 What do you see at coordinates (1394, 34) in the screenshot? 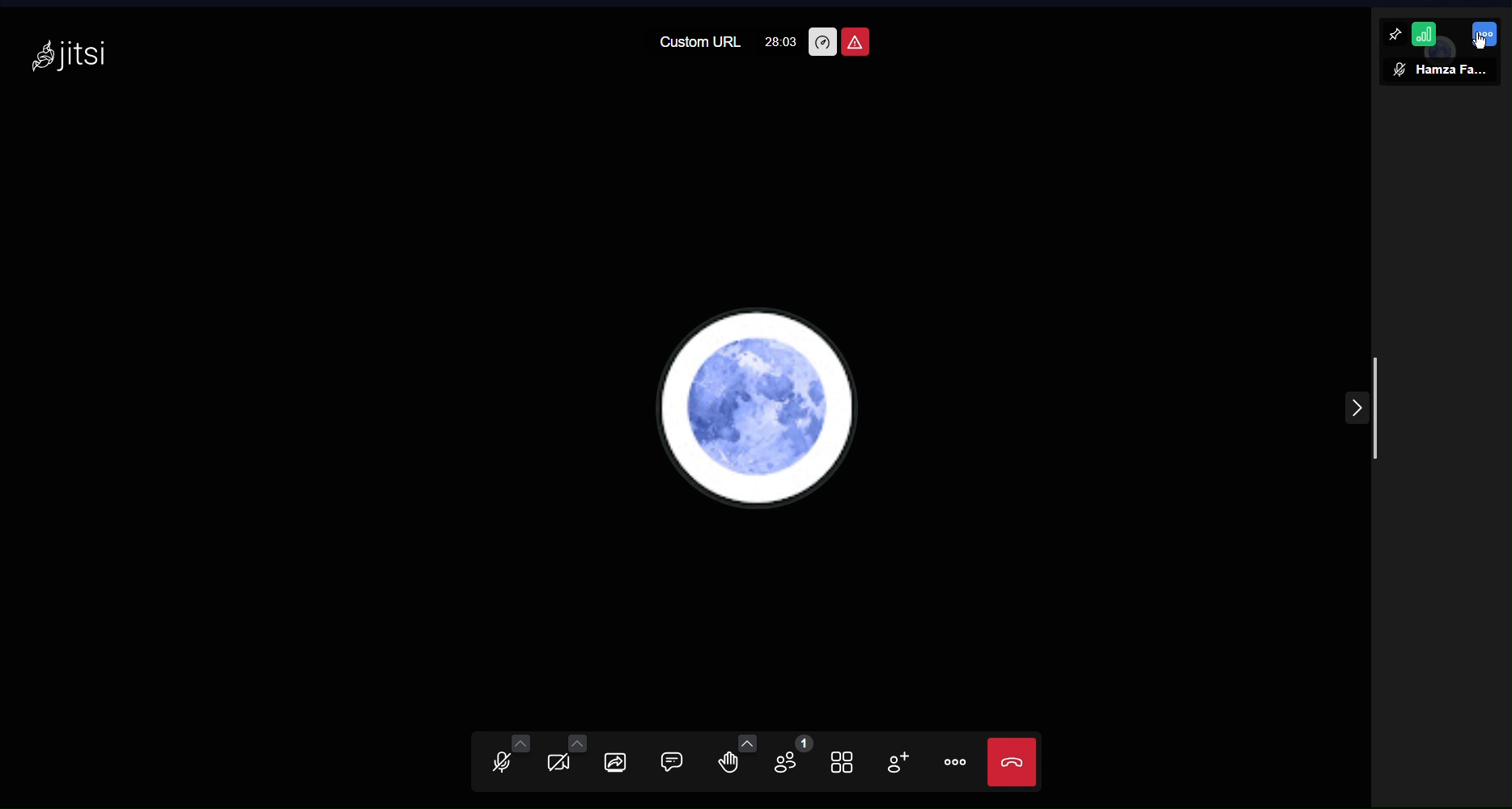
I see `pin` at bounding box center [1394, 34].